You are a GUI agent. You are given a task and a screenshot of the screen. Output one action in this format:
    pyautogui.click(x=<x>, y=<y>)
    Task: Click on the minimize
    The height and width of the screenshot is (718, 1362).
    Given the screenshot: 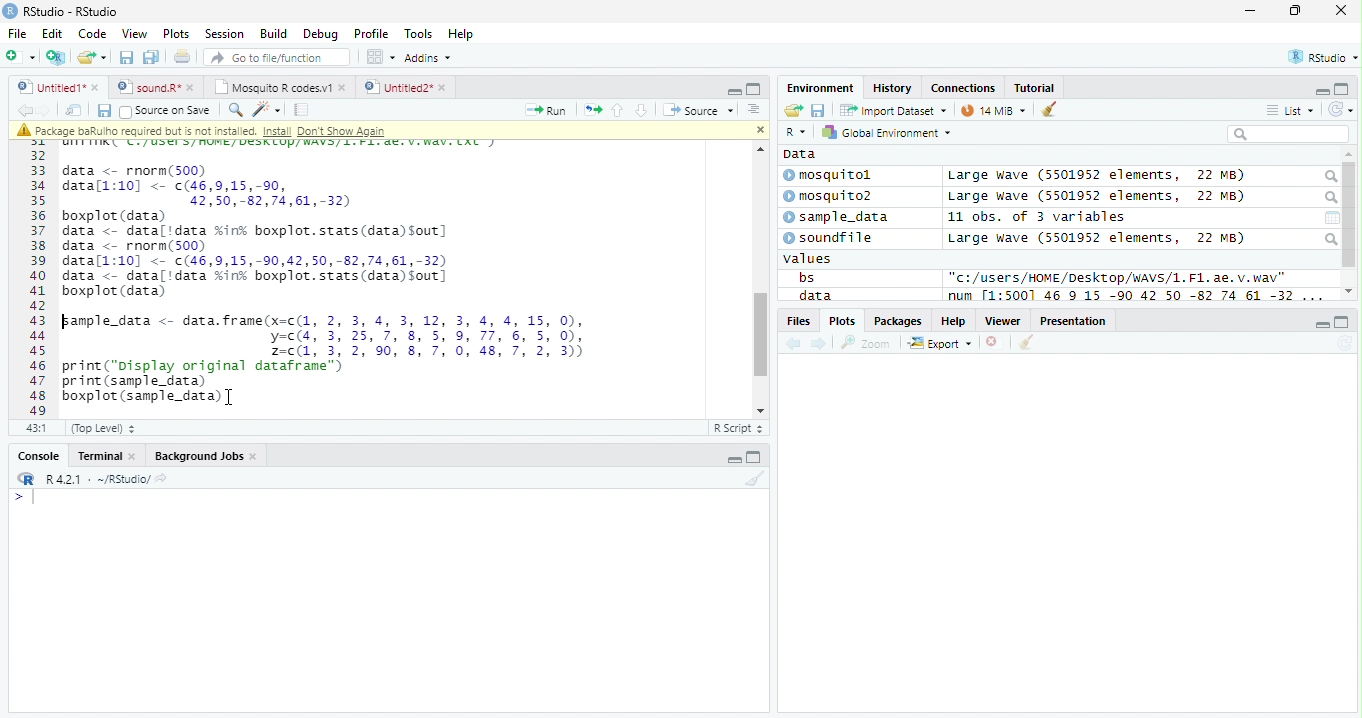 What is the action you would take?
    pyautogui.click(x=734, y=90)
    